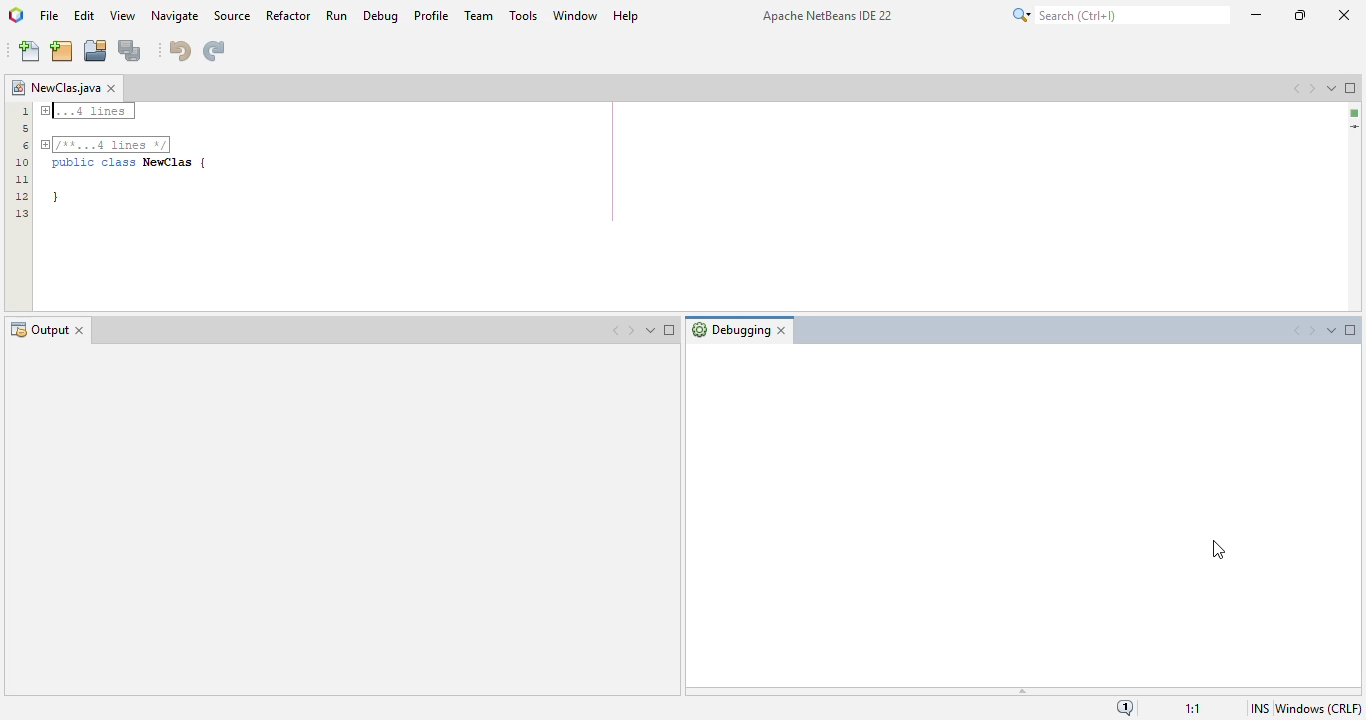  What do you see at coordinates (480, 16) in the screenshot?
I see `team` at bounding box center [480, 16].